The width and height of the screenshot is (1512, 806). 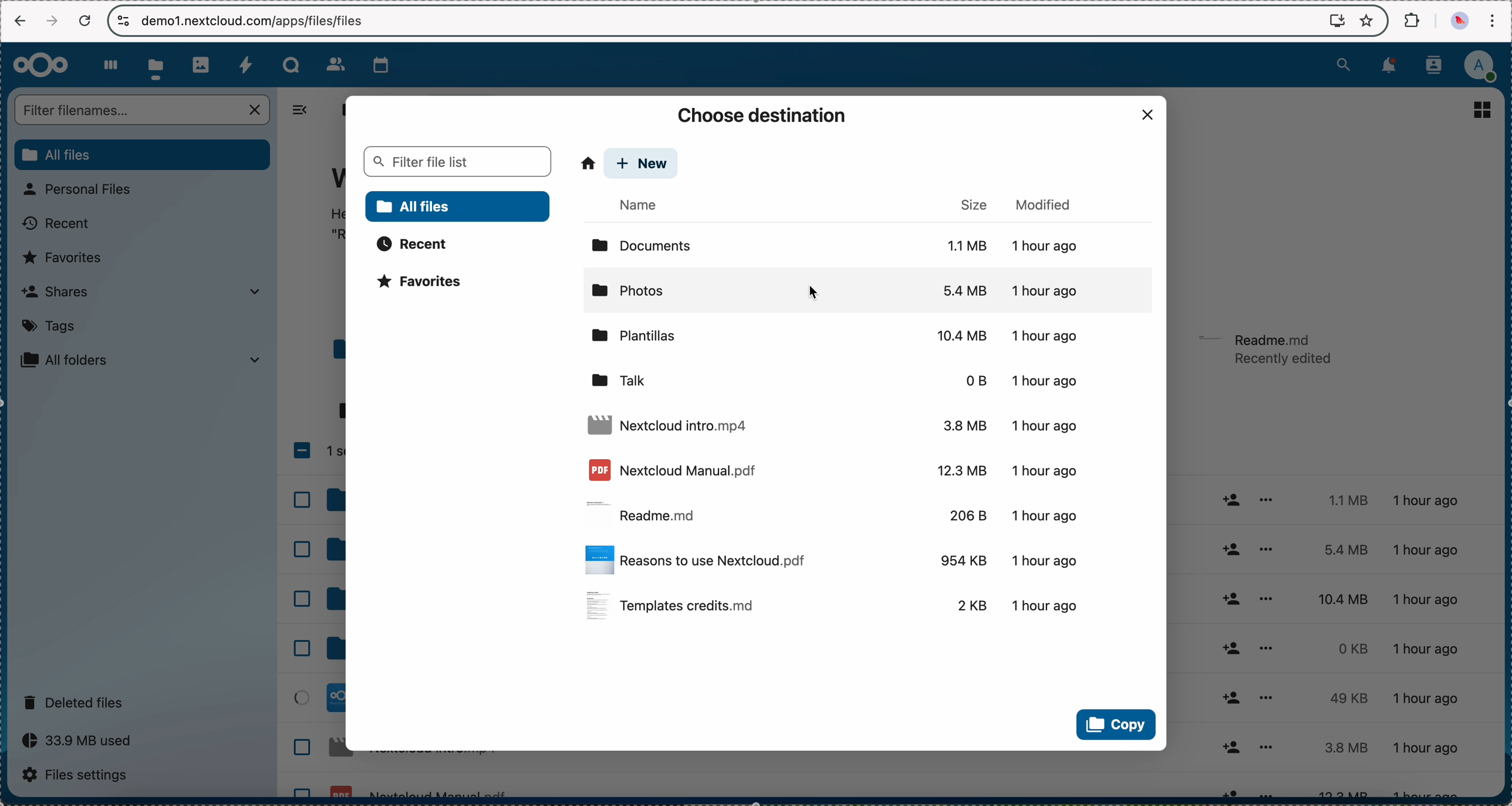 I want to click on all files, so click(x=141, y=155).